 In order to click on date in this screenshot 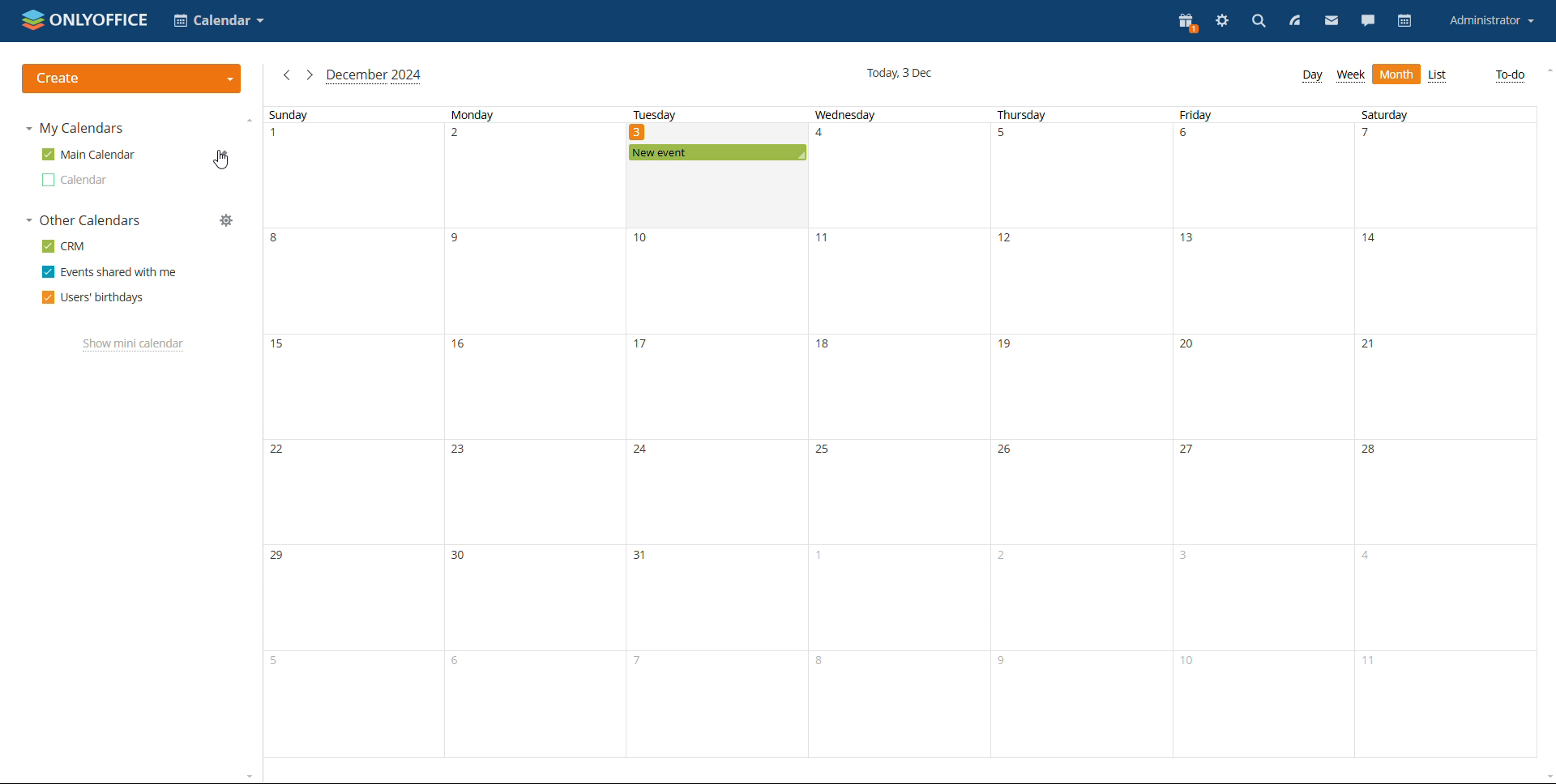, I will do `click(1263, 281)`.